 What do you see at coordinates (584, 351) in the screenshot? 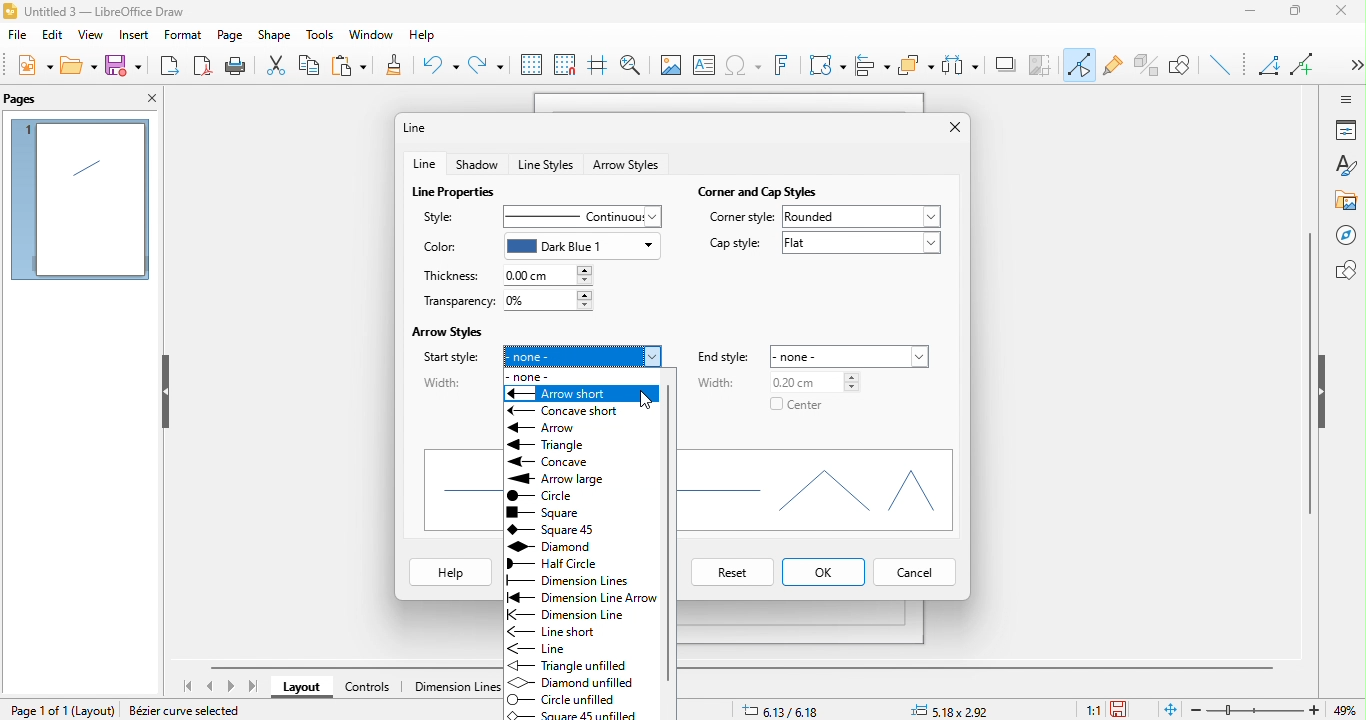
I see `none` at bounding box center [584, 351].